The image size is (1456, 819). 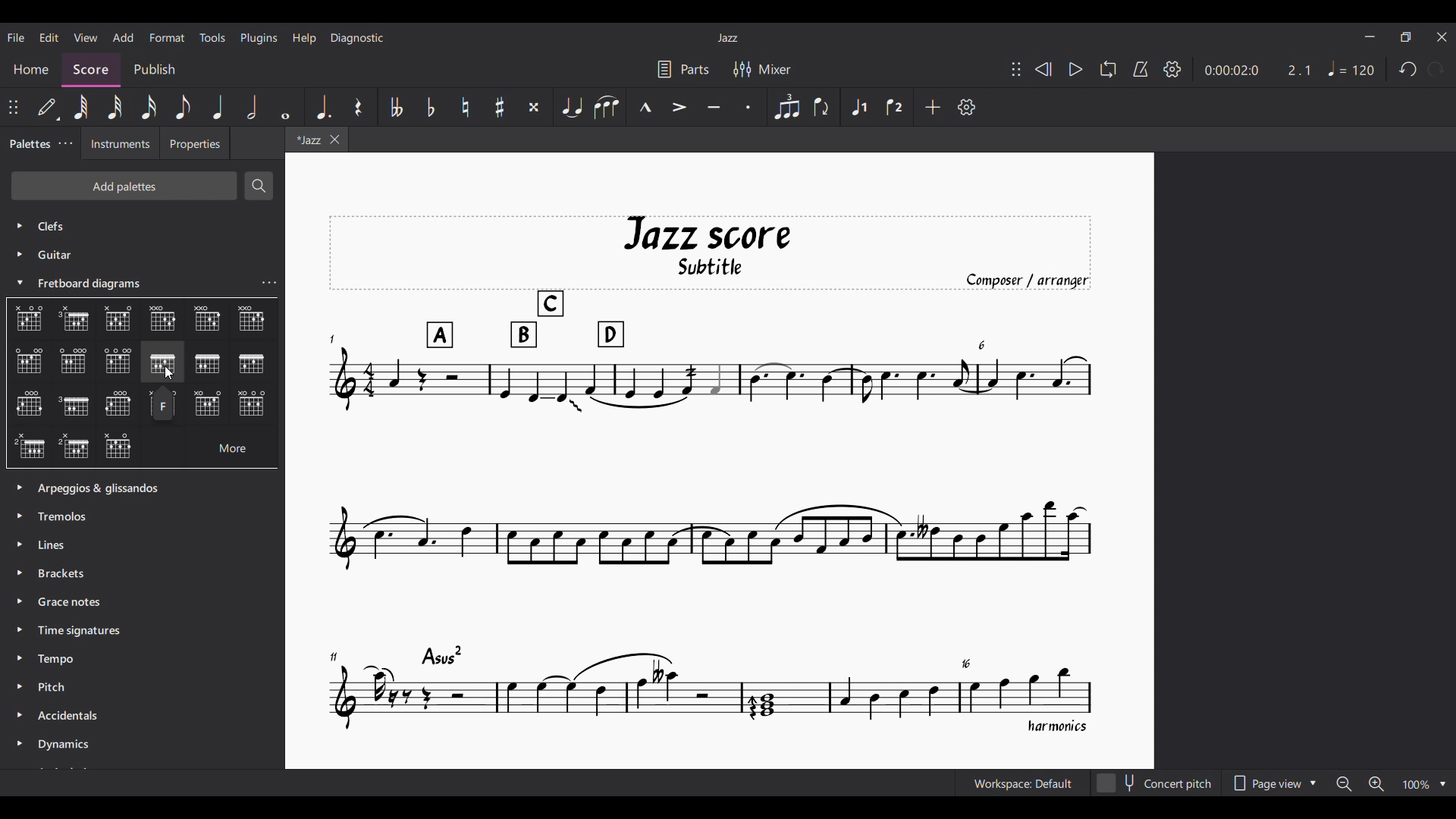 I want to click on Chart 2, so click(x=78, y=321).